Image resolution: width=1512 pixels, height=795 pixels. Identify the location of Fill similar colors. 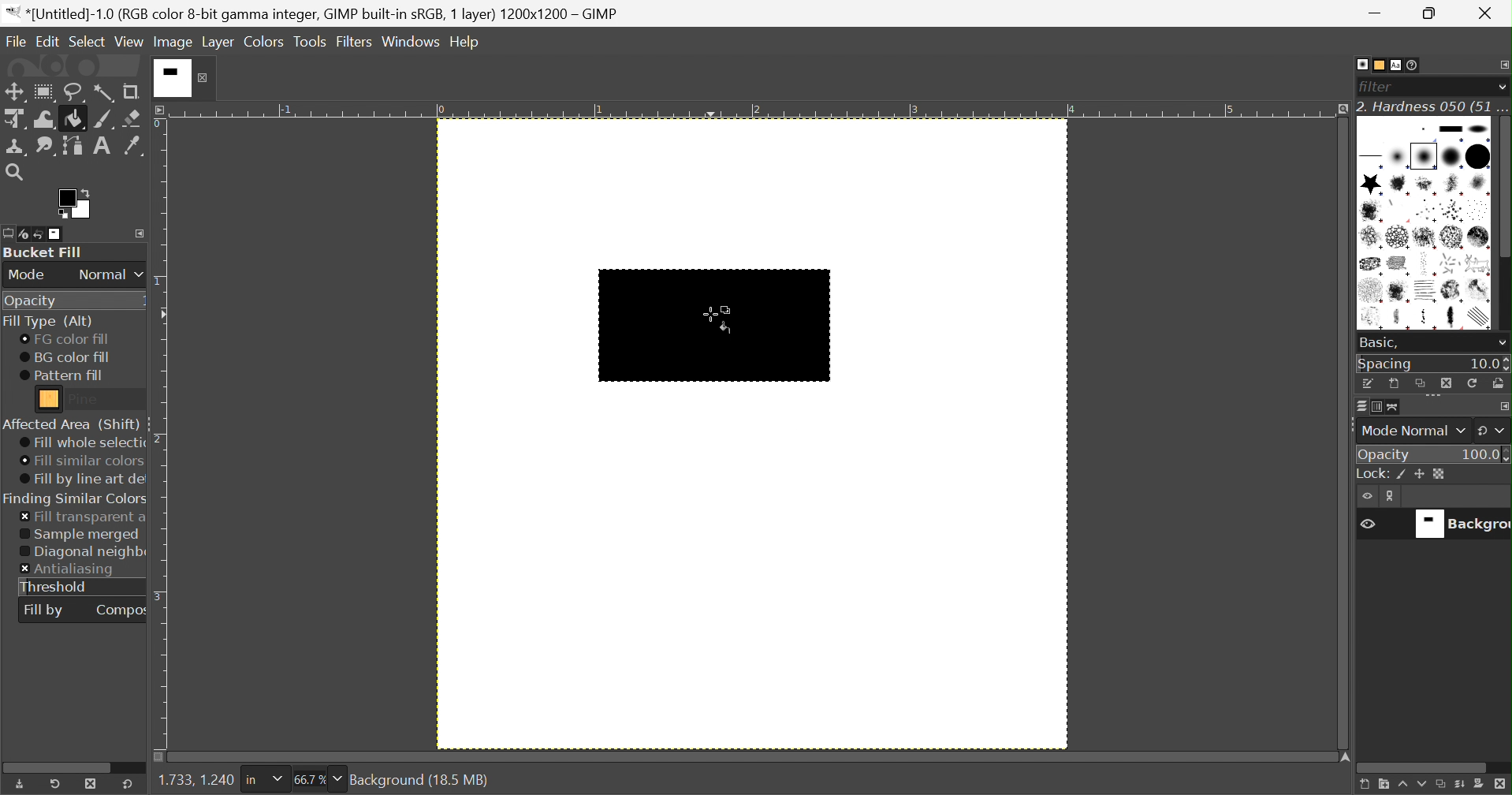
(80, 461).